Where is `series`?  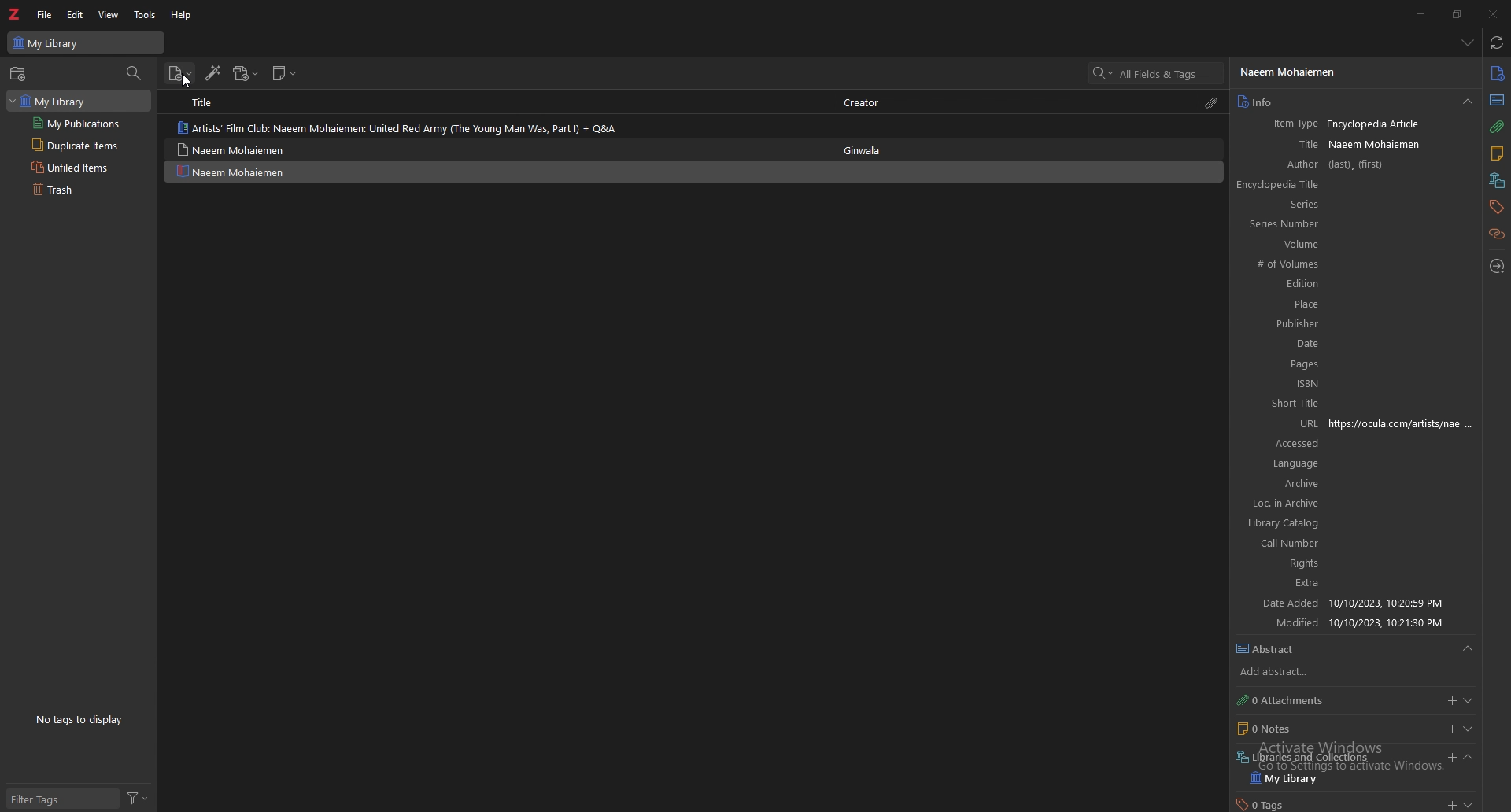 series is located at coordinates (1302, 204).